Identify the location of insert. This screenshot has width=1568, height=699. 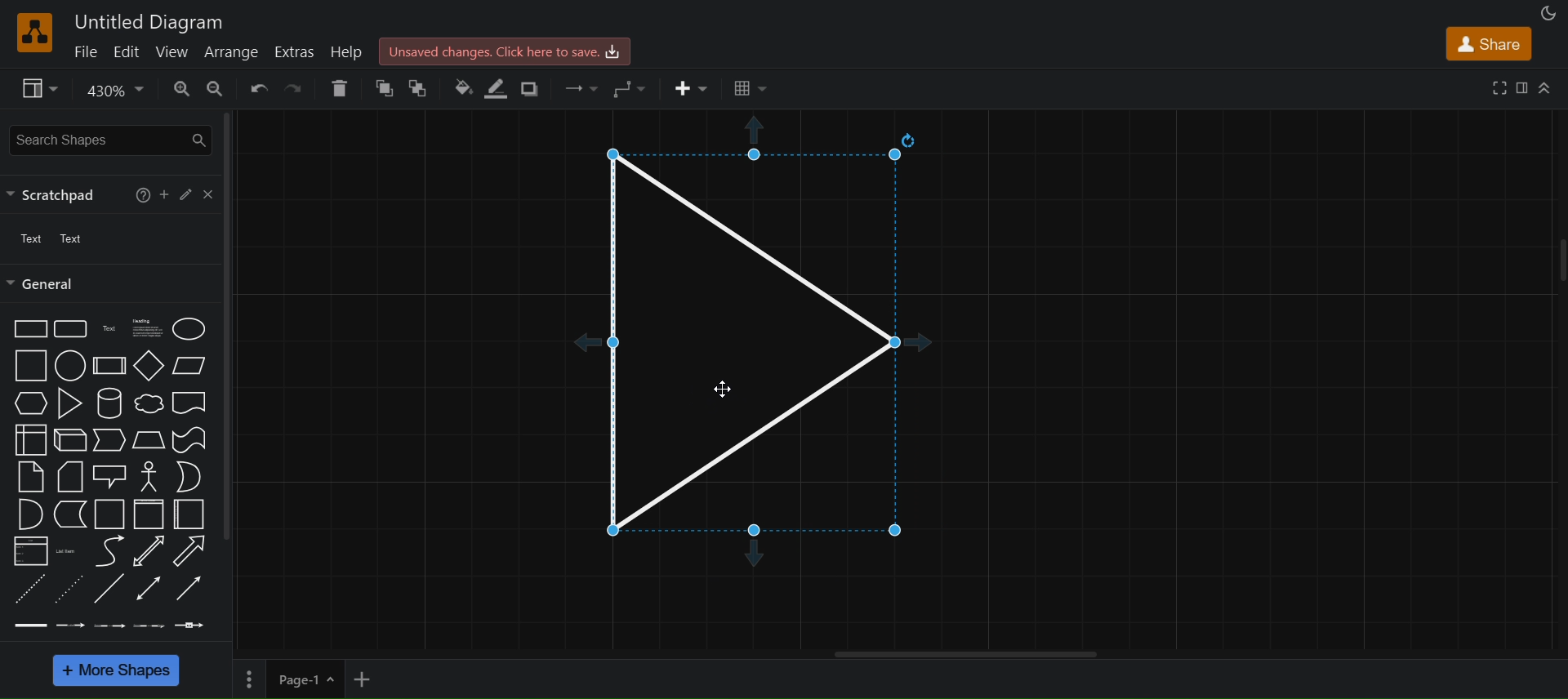
(692, 88).